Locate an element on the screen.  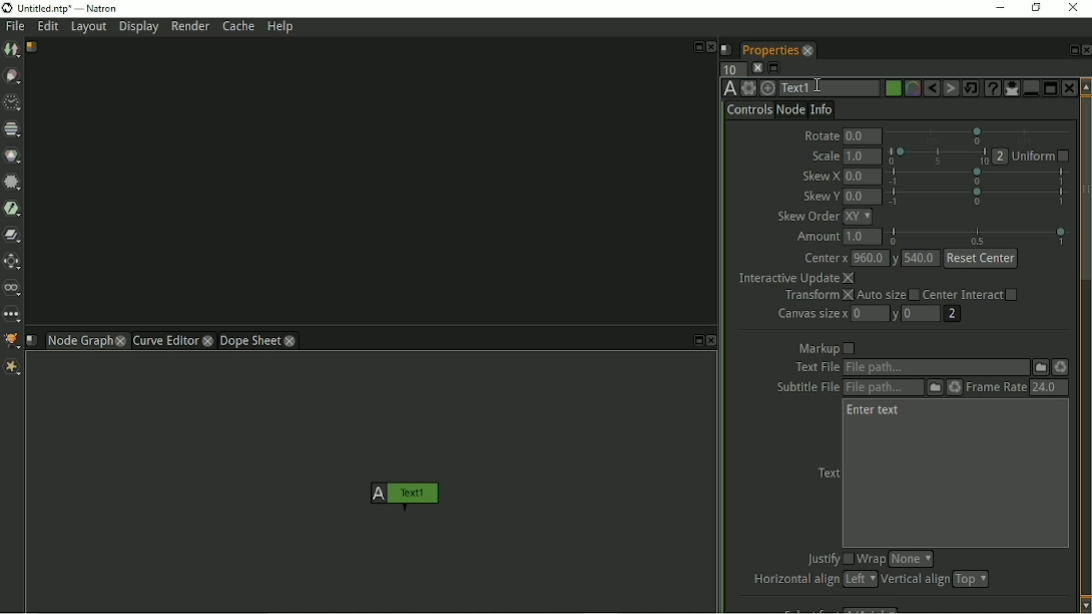
Amount is located at coordinates (814, 237).